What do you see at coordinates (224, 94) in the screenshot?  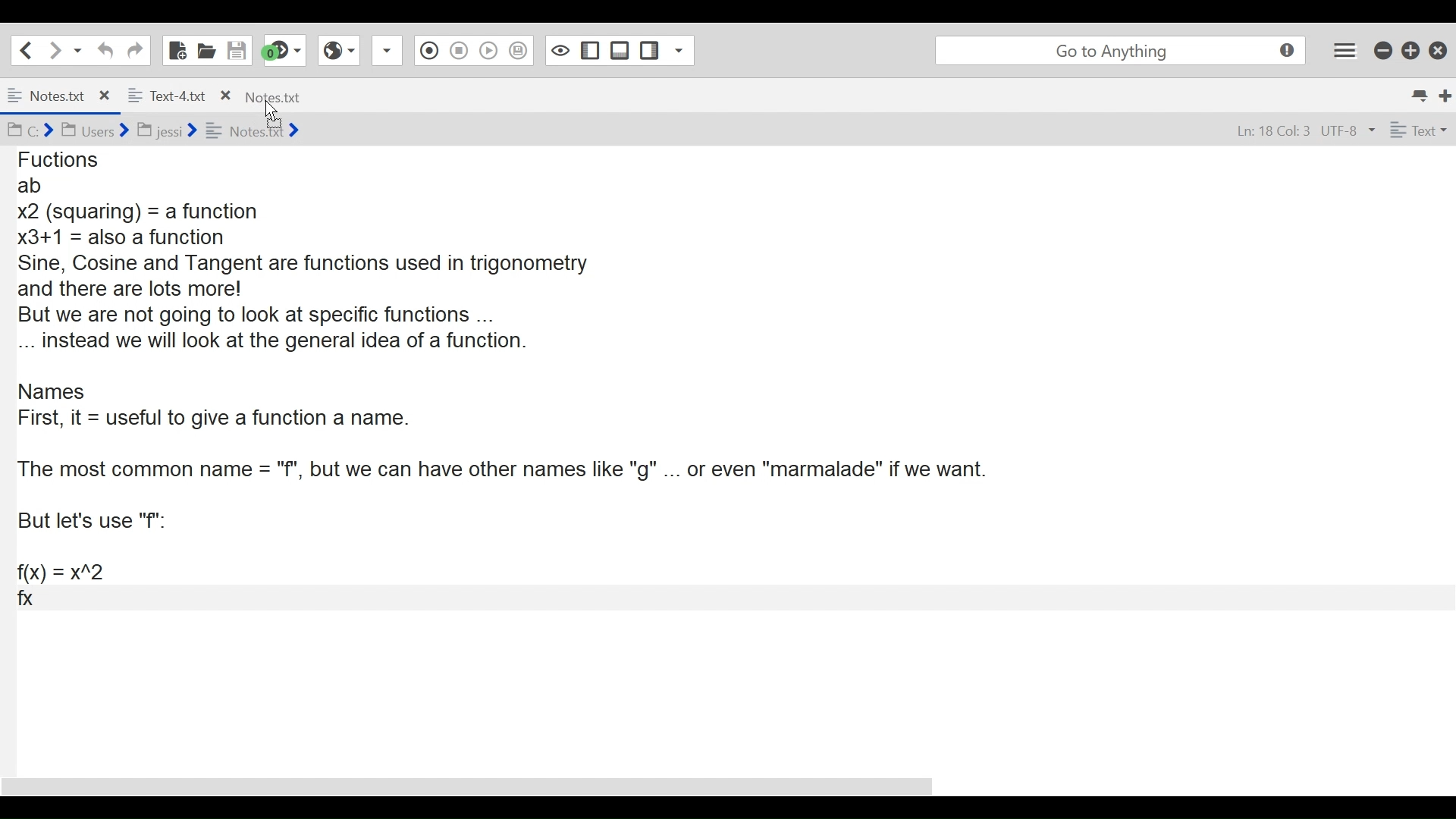 I see `close` at bounding box center [224, 94].